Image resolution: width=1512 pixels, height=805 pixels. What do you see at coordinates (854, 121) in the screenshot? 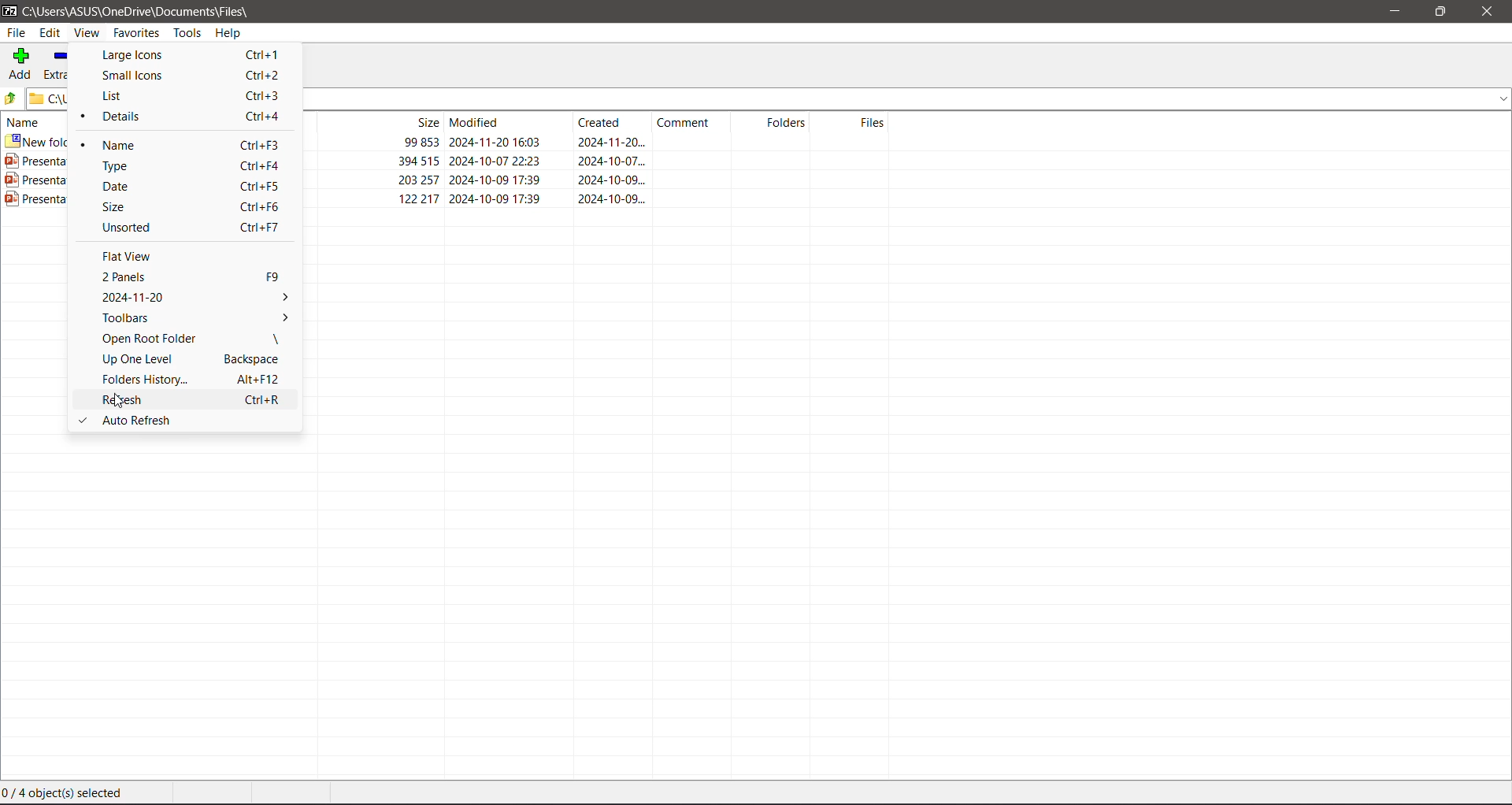
I see `files` at bounding box center [854, 121].